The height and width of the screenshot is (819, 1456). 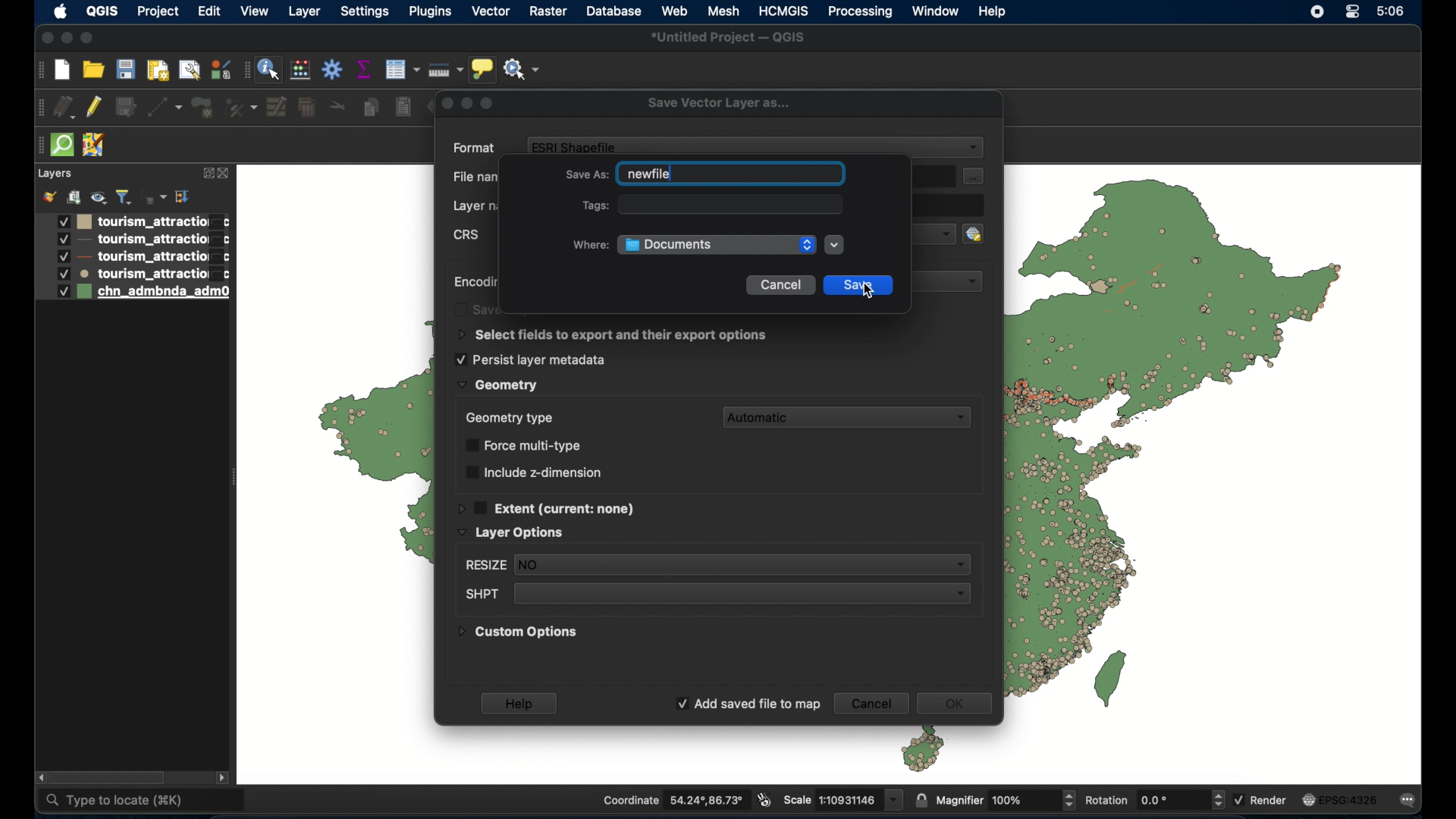 I want to click on filter legend, so click(x=124, y=197).